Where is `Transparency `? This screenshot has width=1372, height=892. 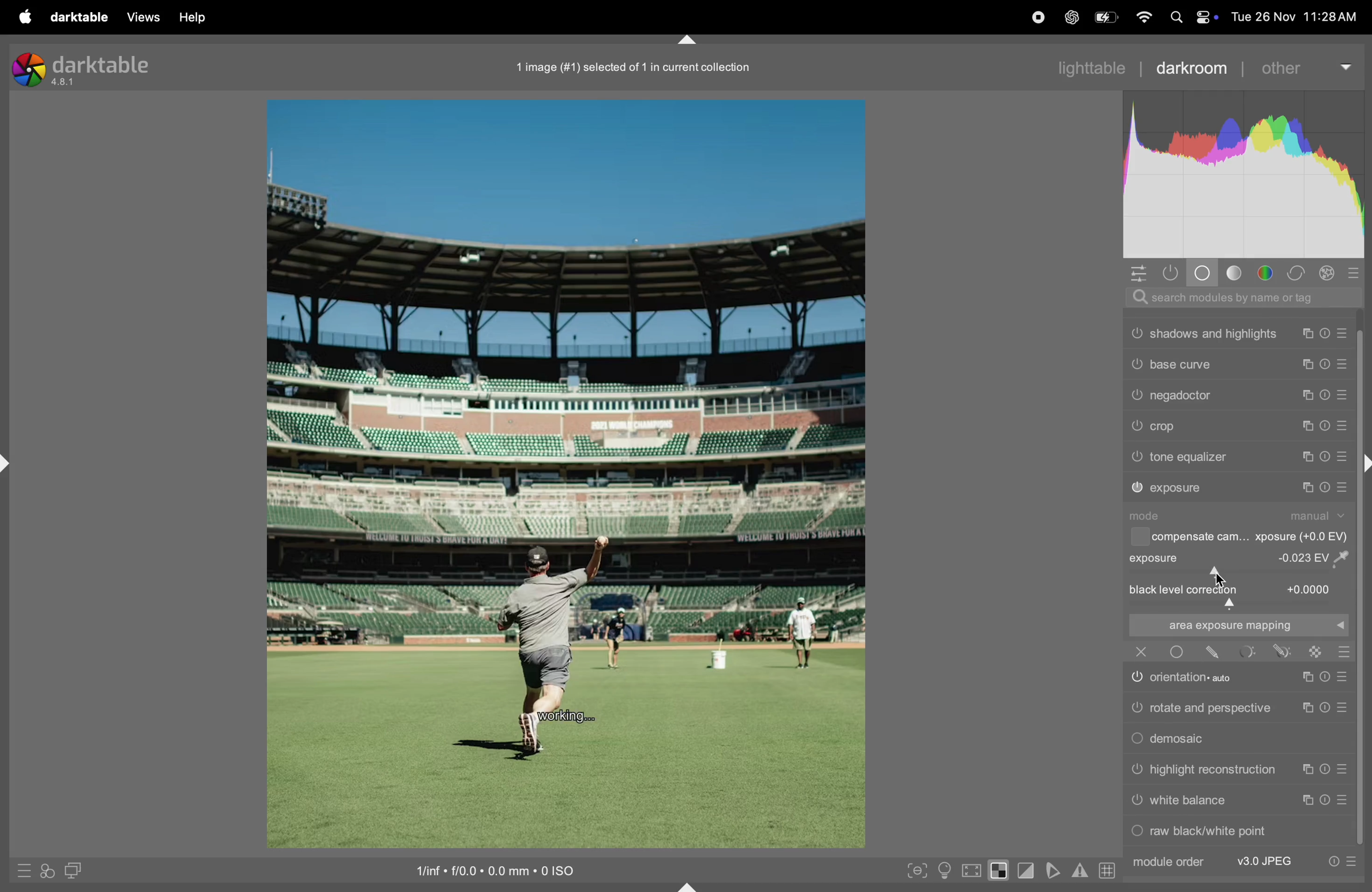
Transparency  is located at coordinates (1316, 652).